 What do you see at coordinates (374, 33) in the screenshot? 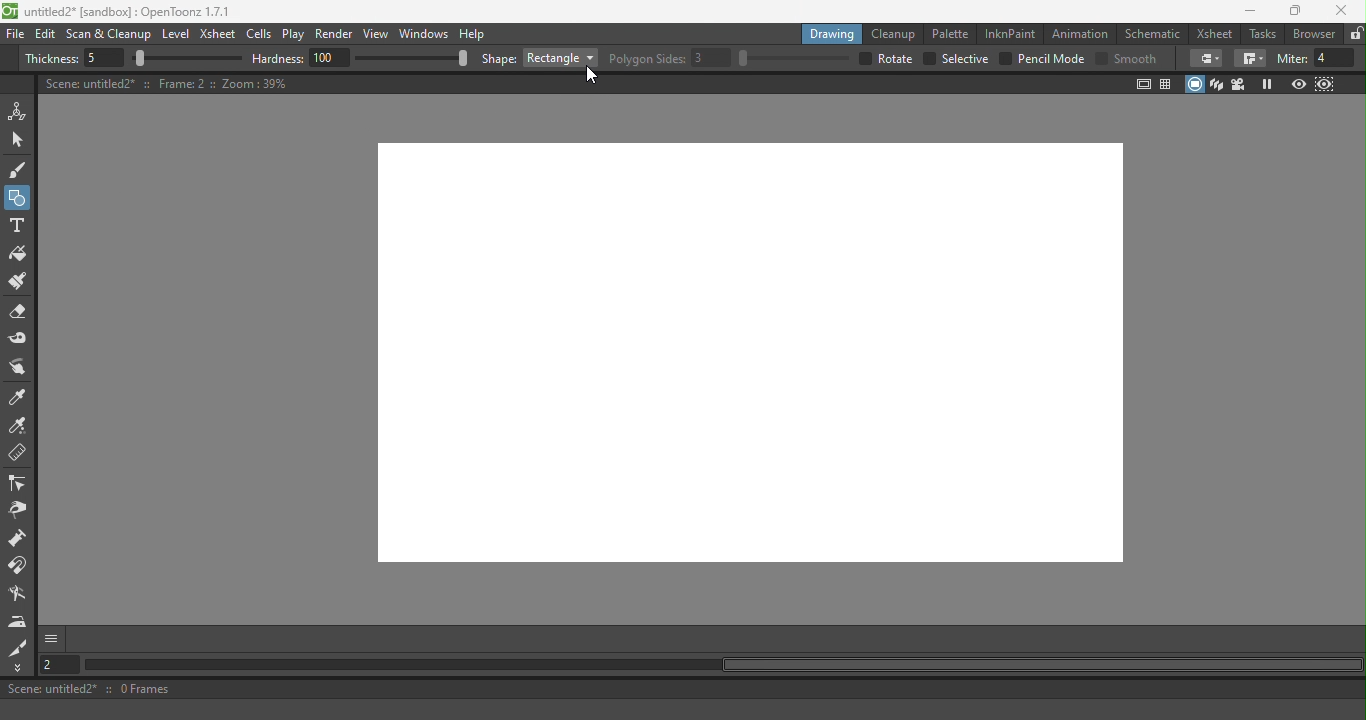
I see `View` at bounding box center [374, 33].